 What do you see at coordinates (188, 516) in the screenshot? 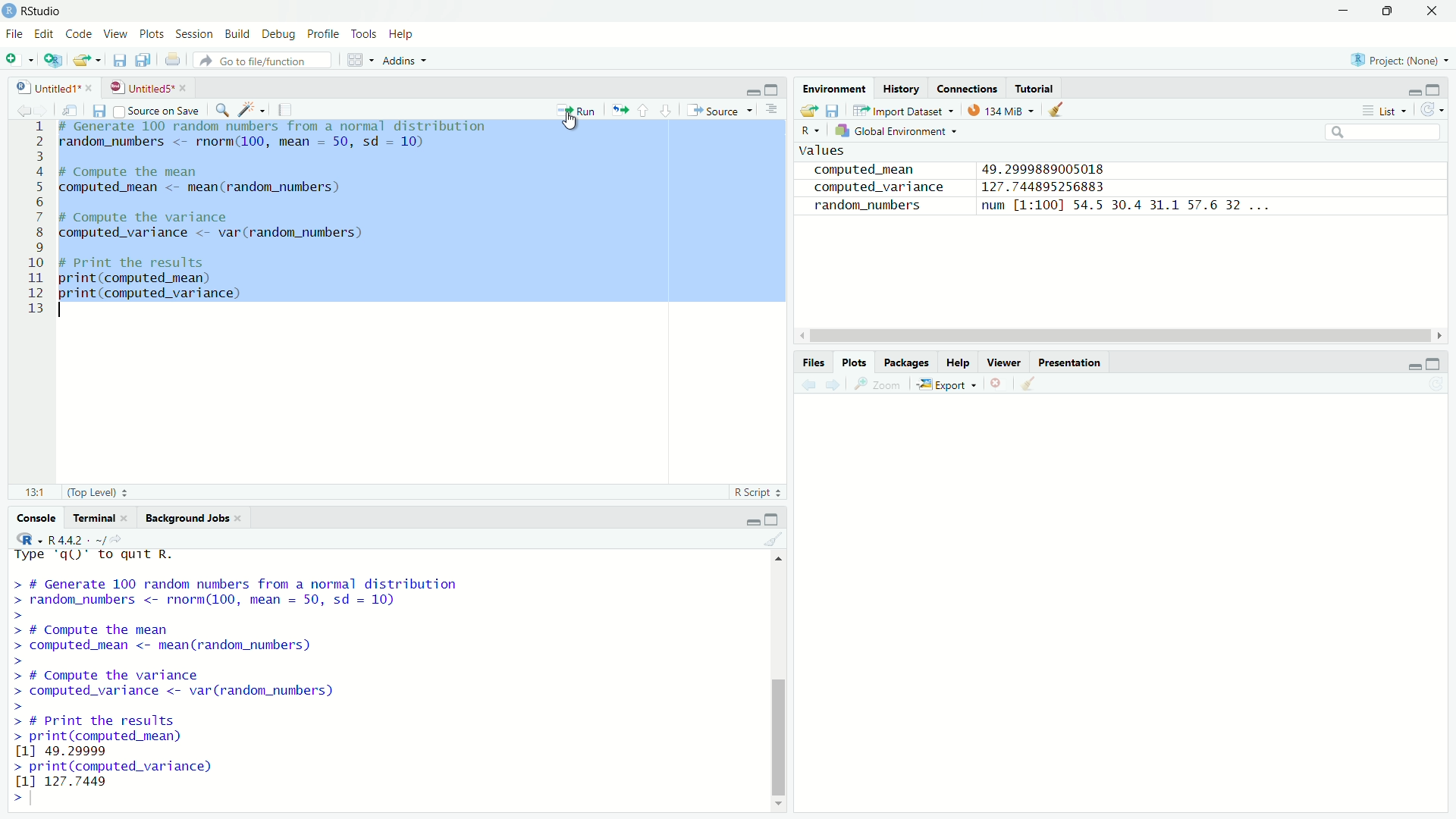
I see `background jobs` at bounding box center [188, 516].